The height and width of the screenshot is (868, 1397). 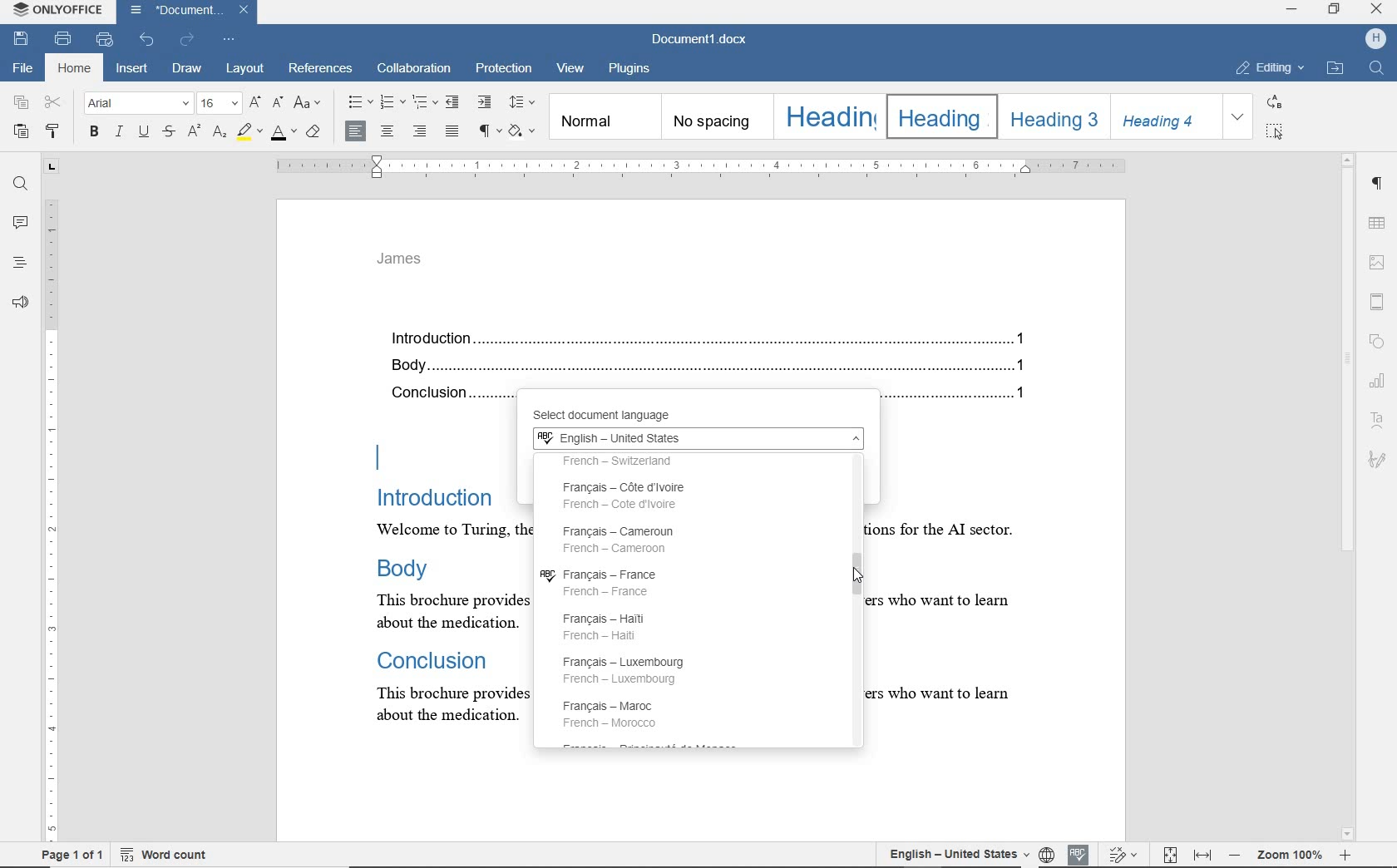 What do you see at coordinates (245, 70) in the screenshot?
I see `layout` at bounding box center [245, 70].